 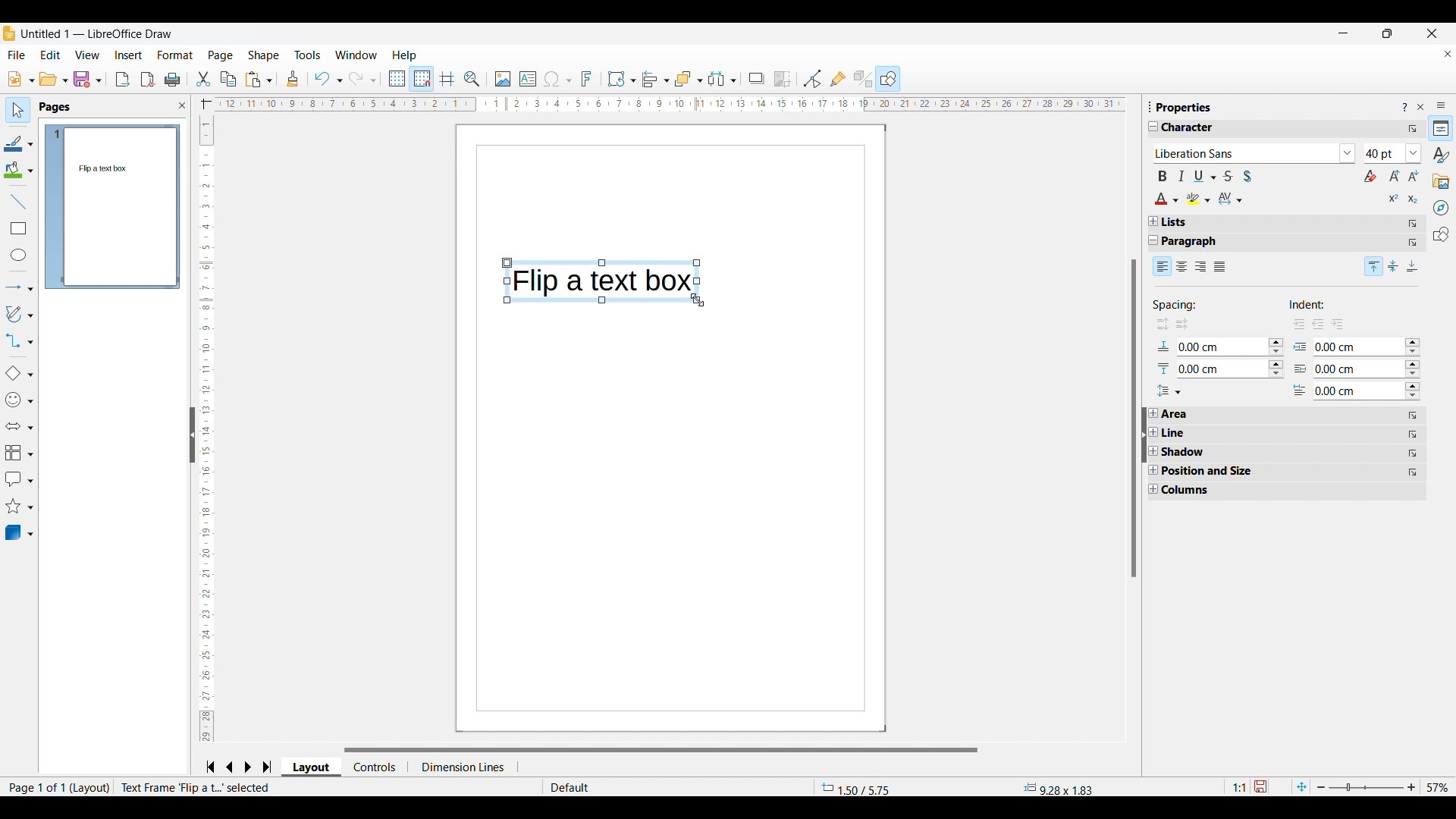 What do you see at coordinates (1247, 176) in the screenshot?
I see `Toggle shadow` at bounding box center [1247, 176].